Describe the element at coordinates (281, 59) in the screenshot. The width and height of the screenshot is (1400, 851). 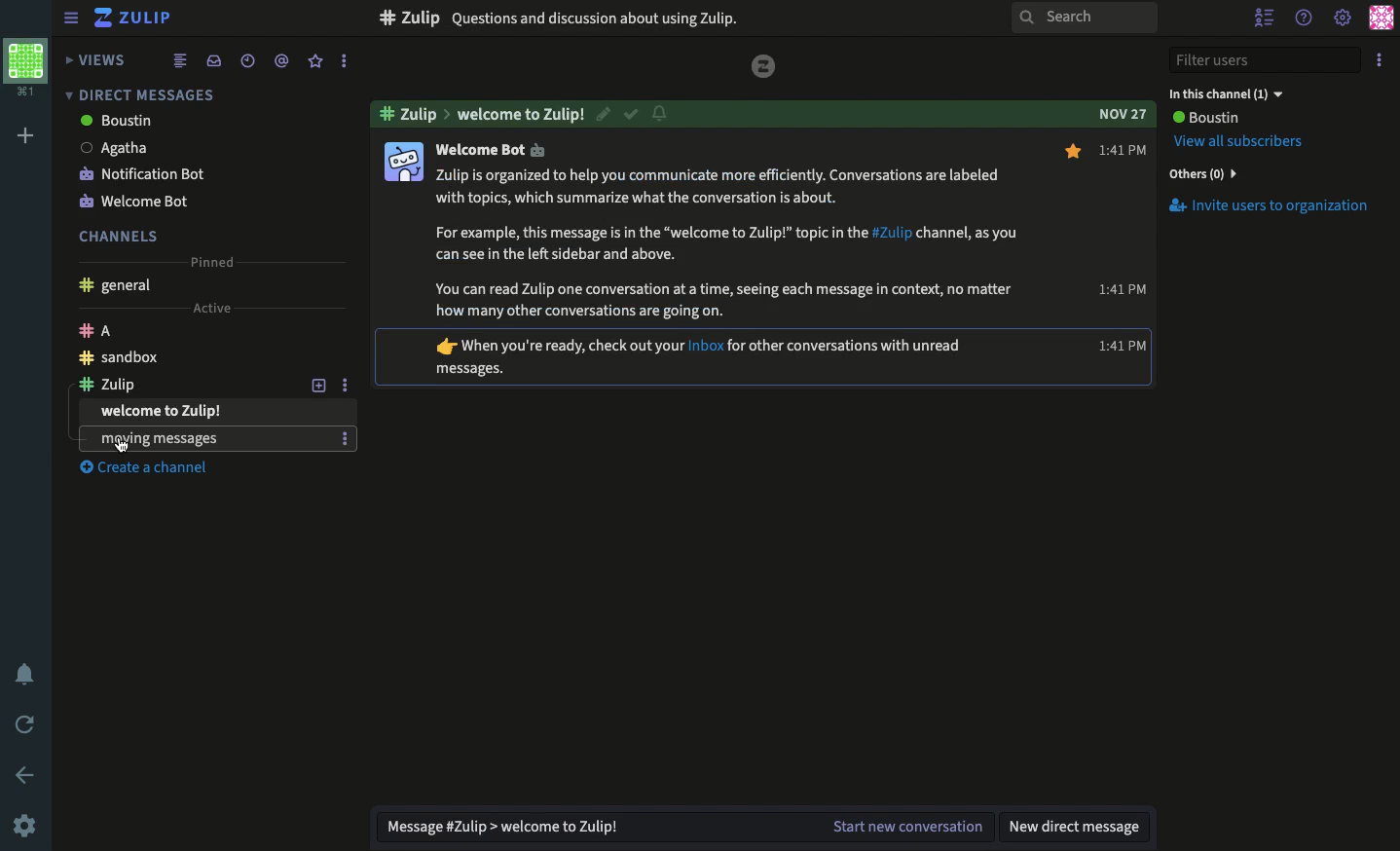
I see `Tag` at that location.